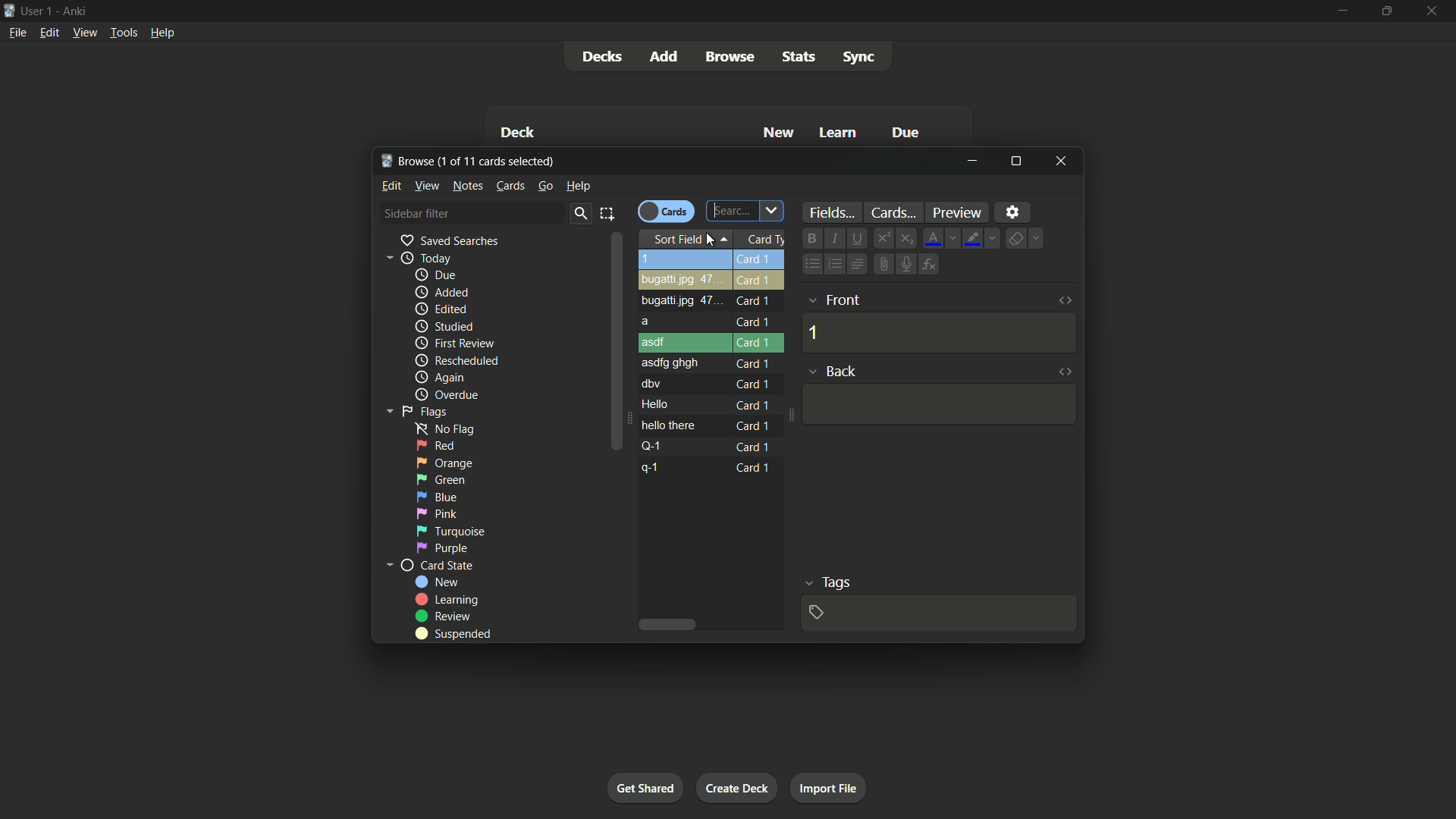  I want to click on rescheduled, so click(457, 361).